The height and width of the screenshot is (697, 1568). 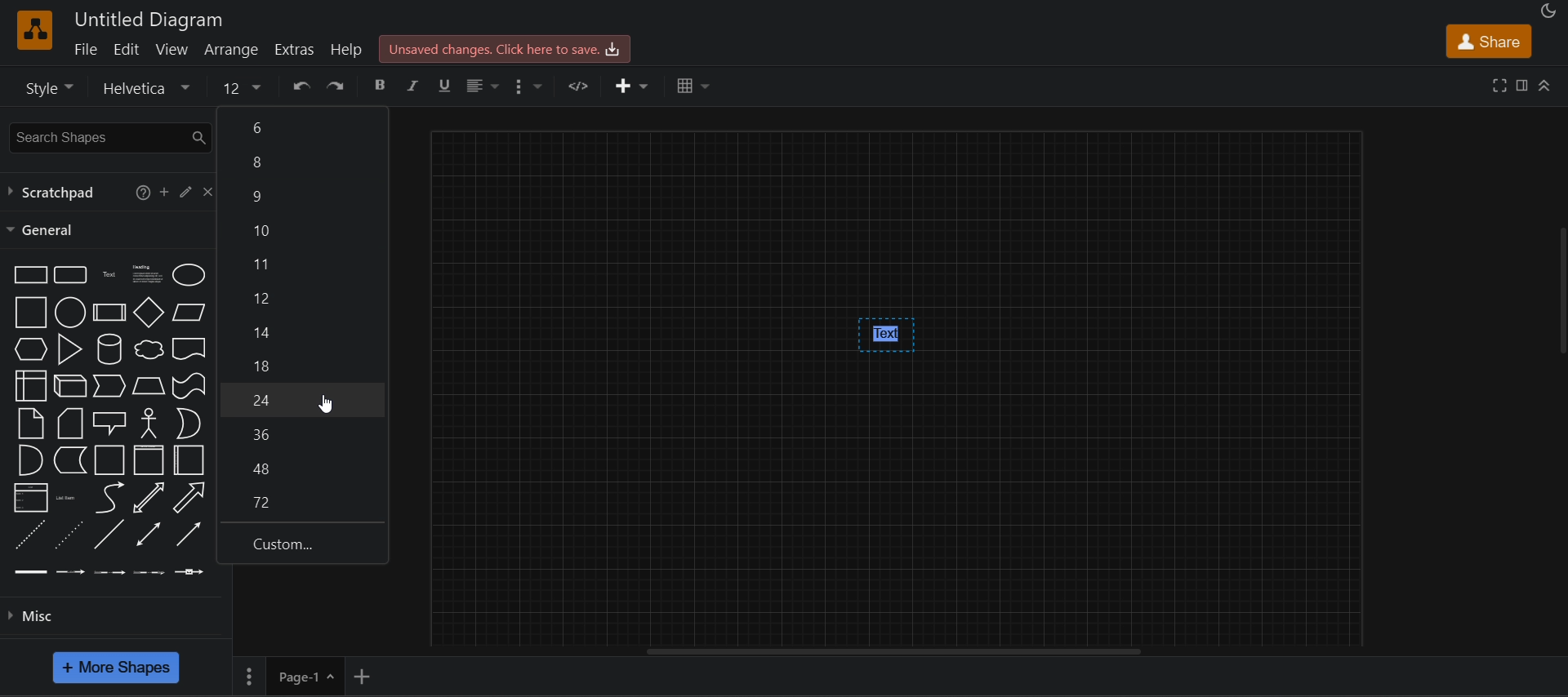 I want to click on Textbox, so click(x=149, y=275).